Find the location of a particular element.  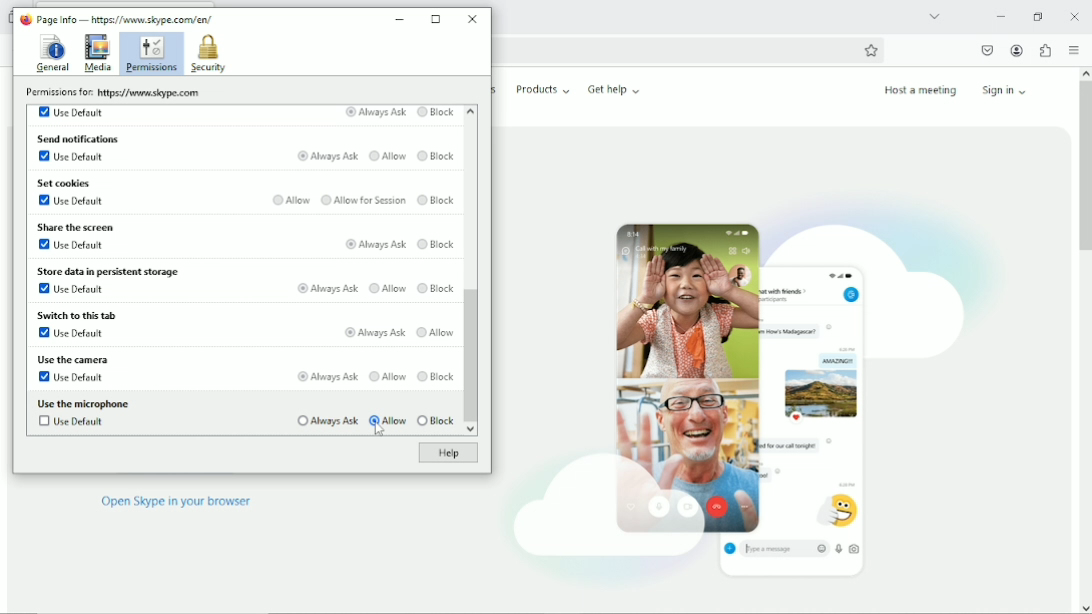

Minimize is located at coordinates (1000, 16).